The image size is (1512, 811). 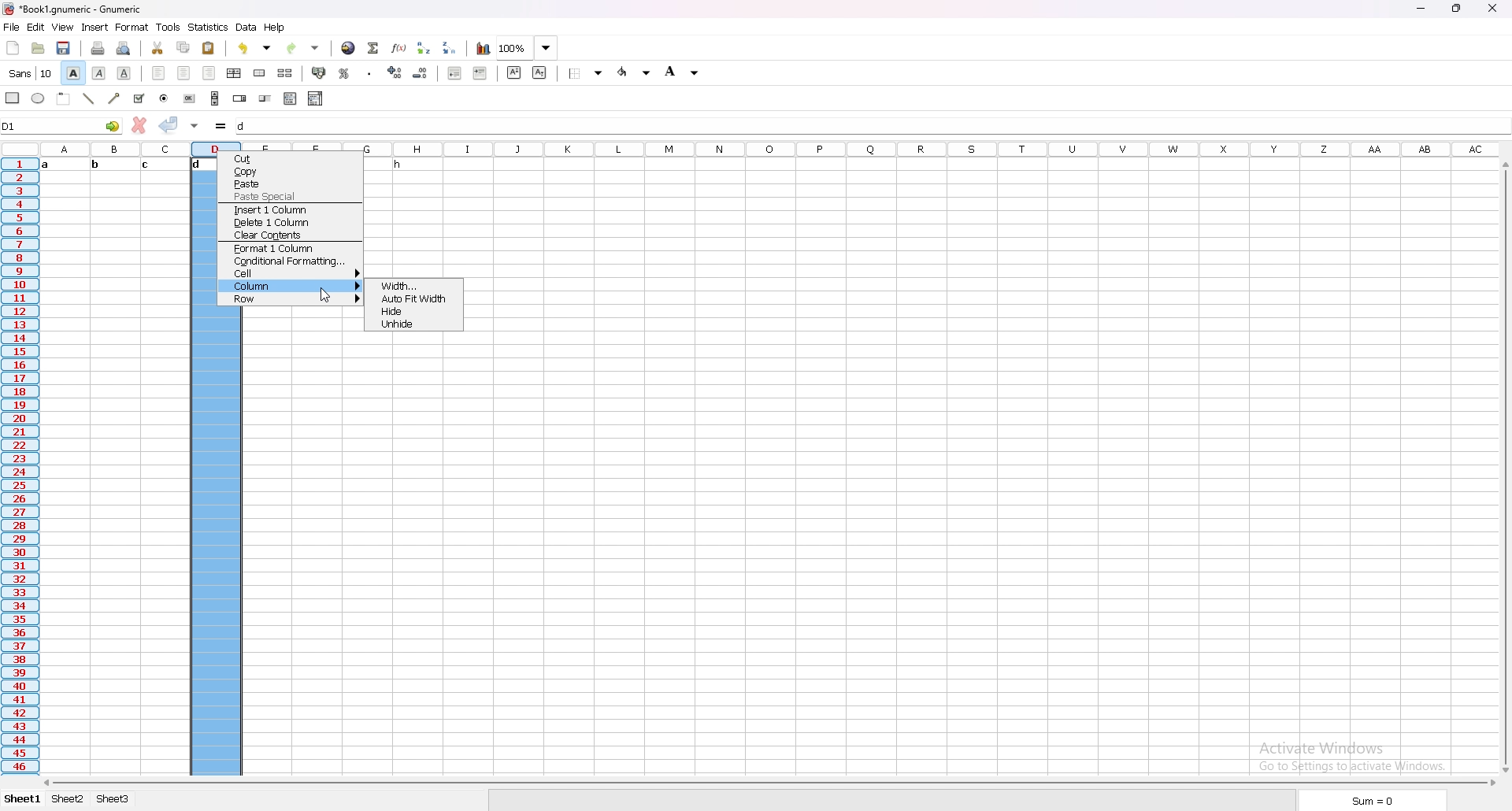 I want to click on left align, so click(x=158, y=72).